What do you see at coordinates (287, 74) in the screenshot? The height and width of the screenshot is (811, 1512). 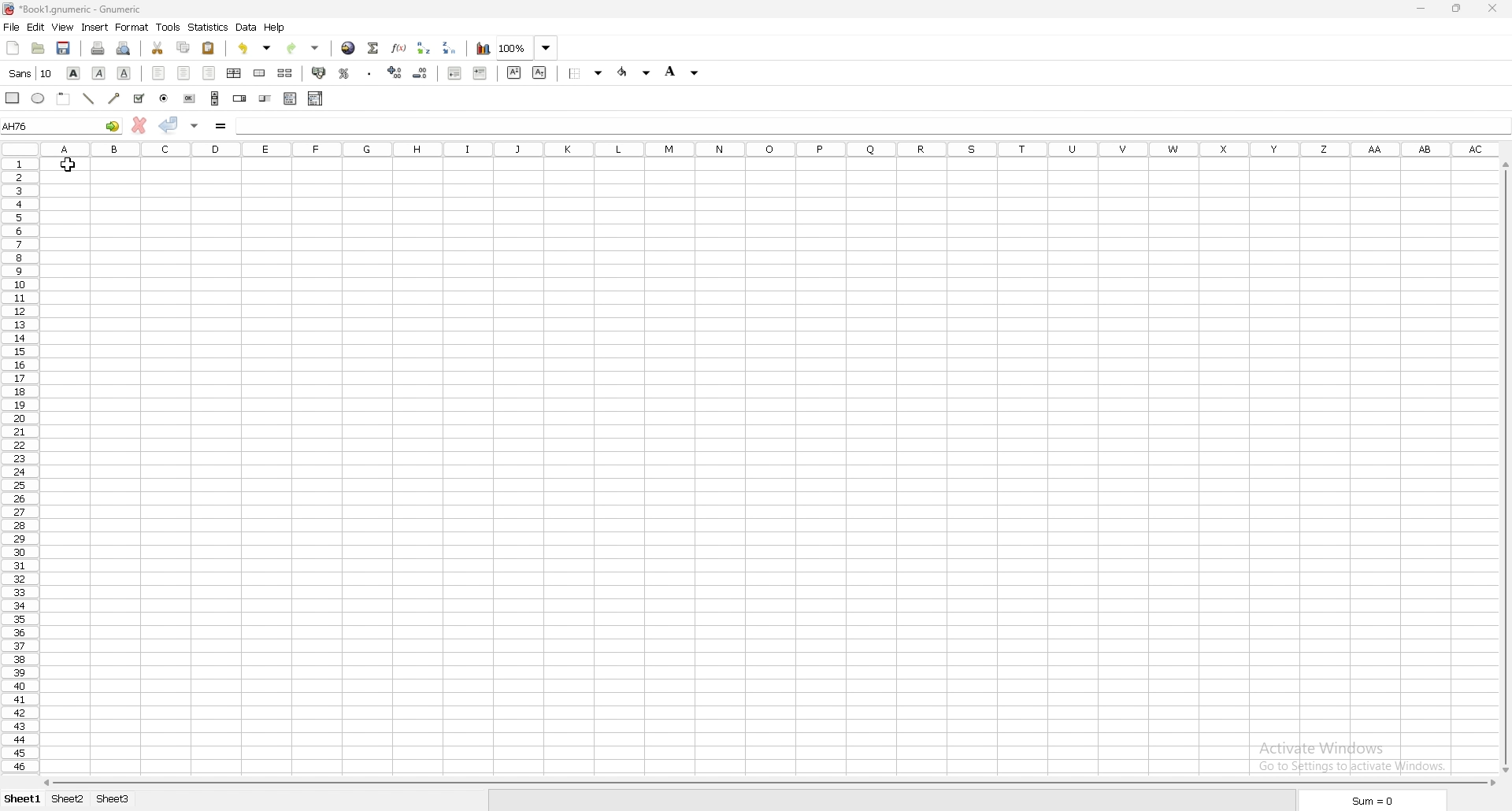 I see `split merged` at bounding box center [287, 74].